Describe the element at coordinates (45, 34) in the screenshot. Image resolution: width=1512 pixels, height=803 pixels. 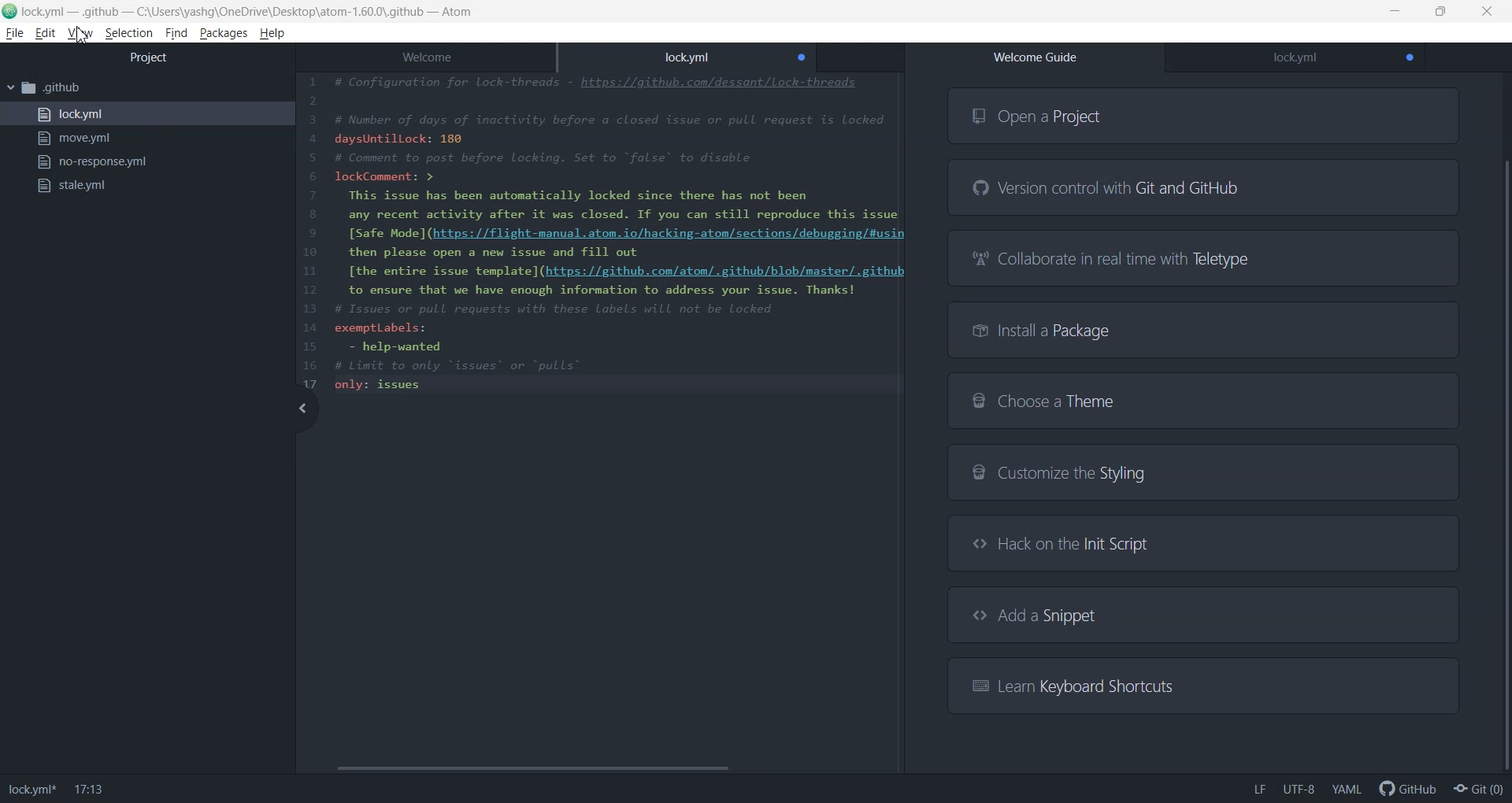
I see `Edit` at that location.